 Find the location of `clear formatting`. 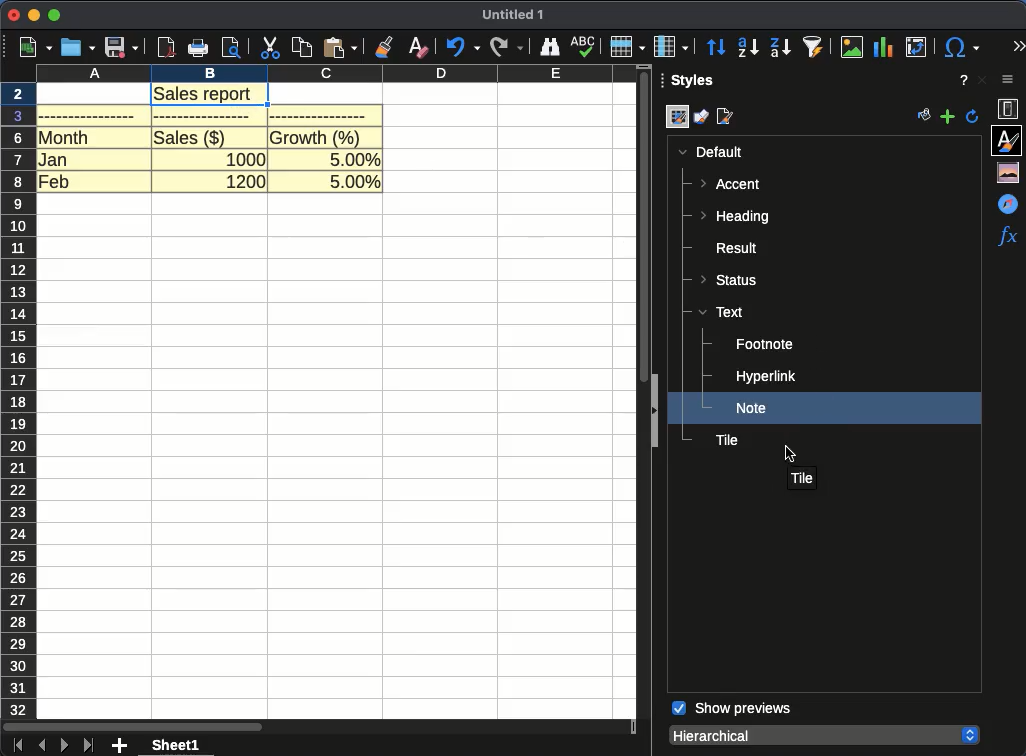

clear formatting is located at coordinates (419, 47).